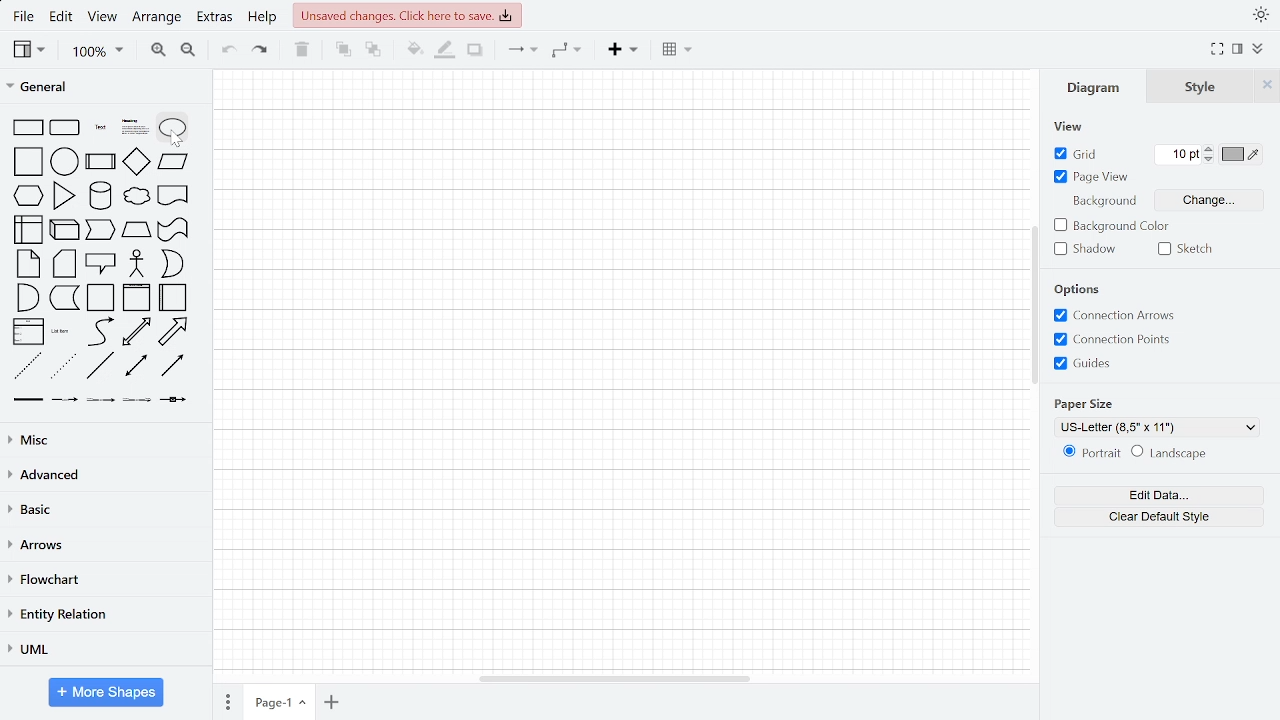 The image size is (1280, 720). I want to click on horizontal container, so click(172, 299).